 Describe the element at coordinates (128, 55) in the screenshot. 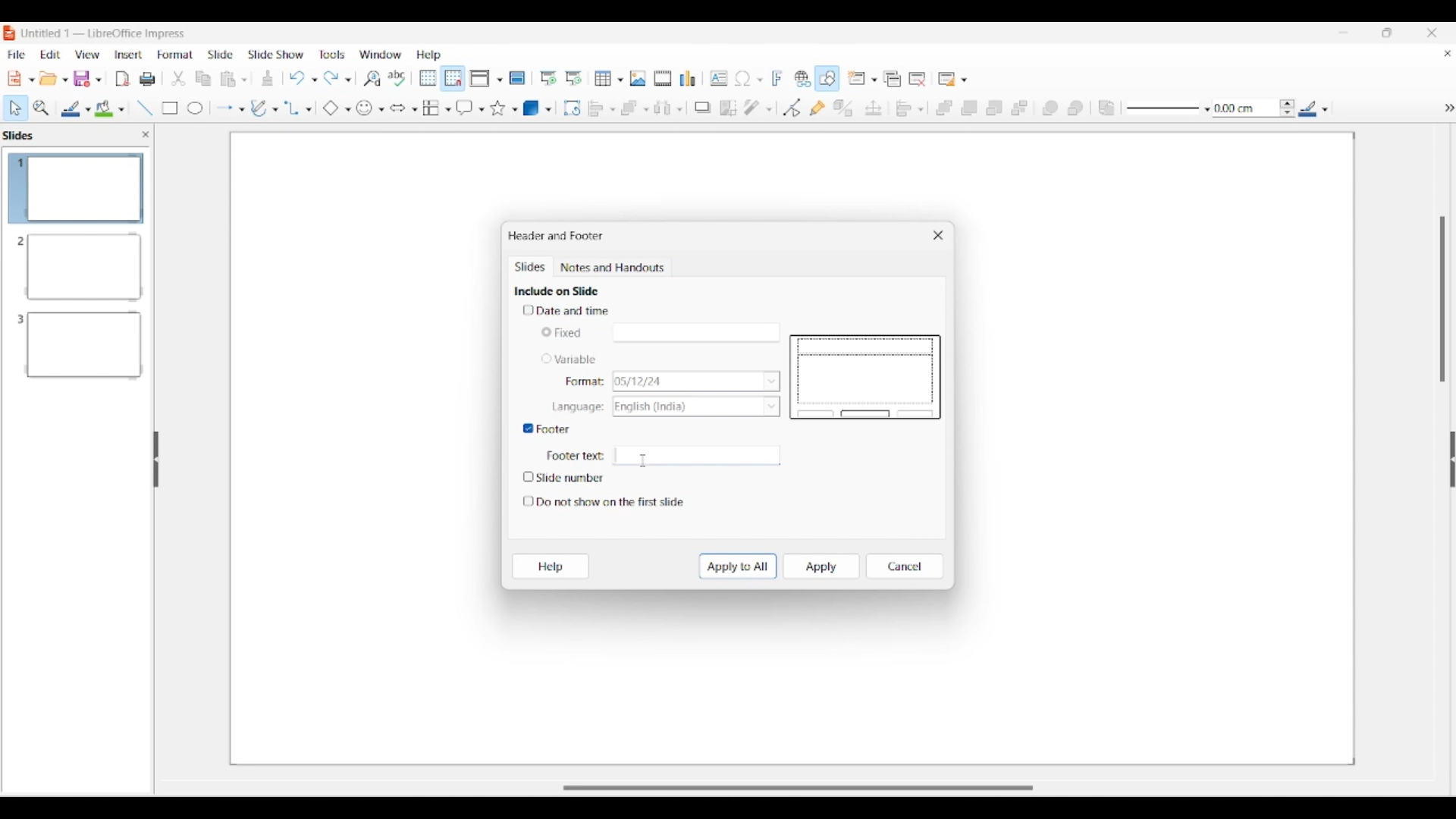

I see `Insert menu` at that location.